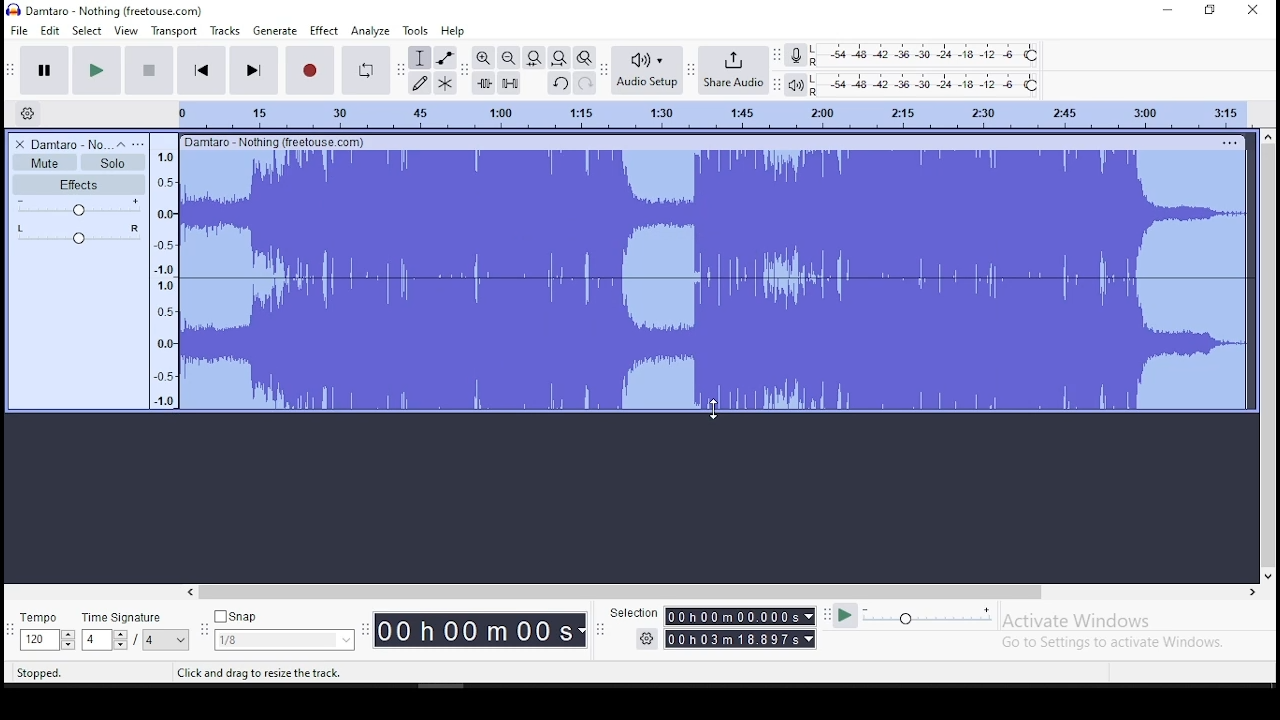 This screenshot has height=720, width=1280. Describe the element at coordinates (95, 640) in the screenshot. I see `4` at that location.